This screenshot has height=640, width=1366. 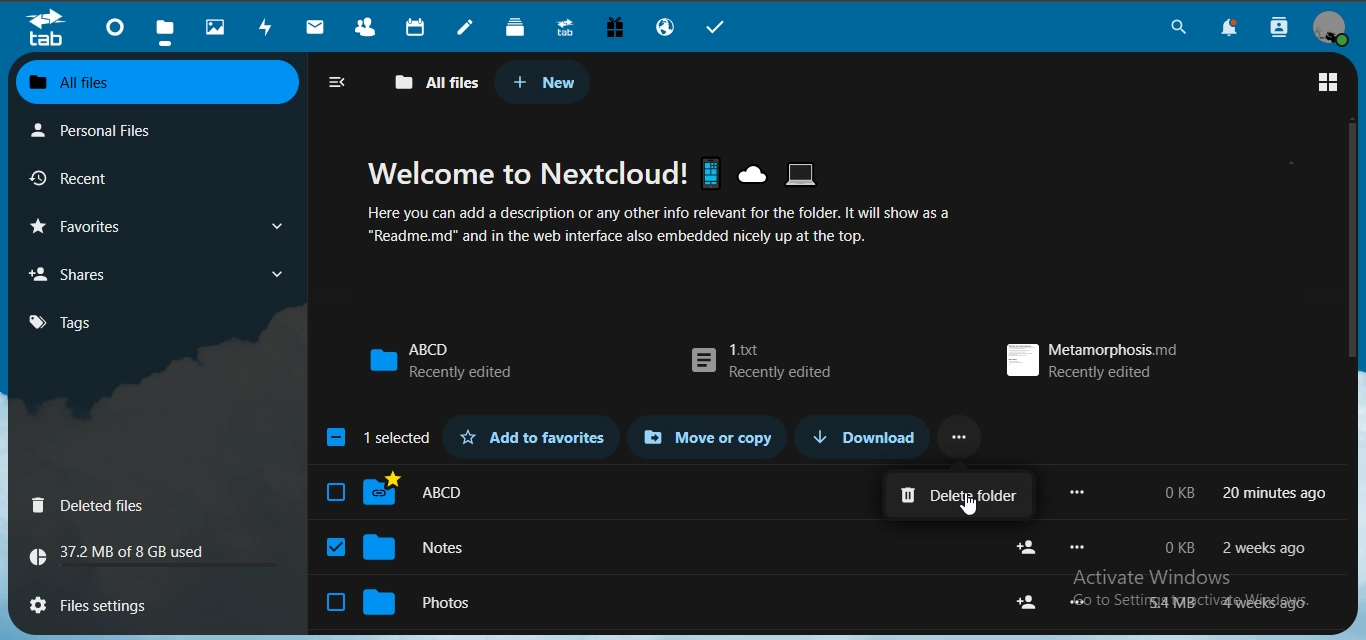 What do you see at coordinates (670, 226) in the screenshot?
I see `Here you can add a description or any other info relevant for the folder. It will show as a
“Readme.md" and in the web interface also embedded nicely up at the top.` at bounding box center [670, 226].